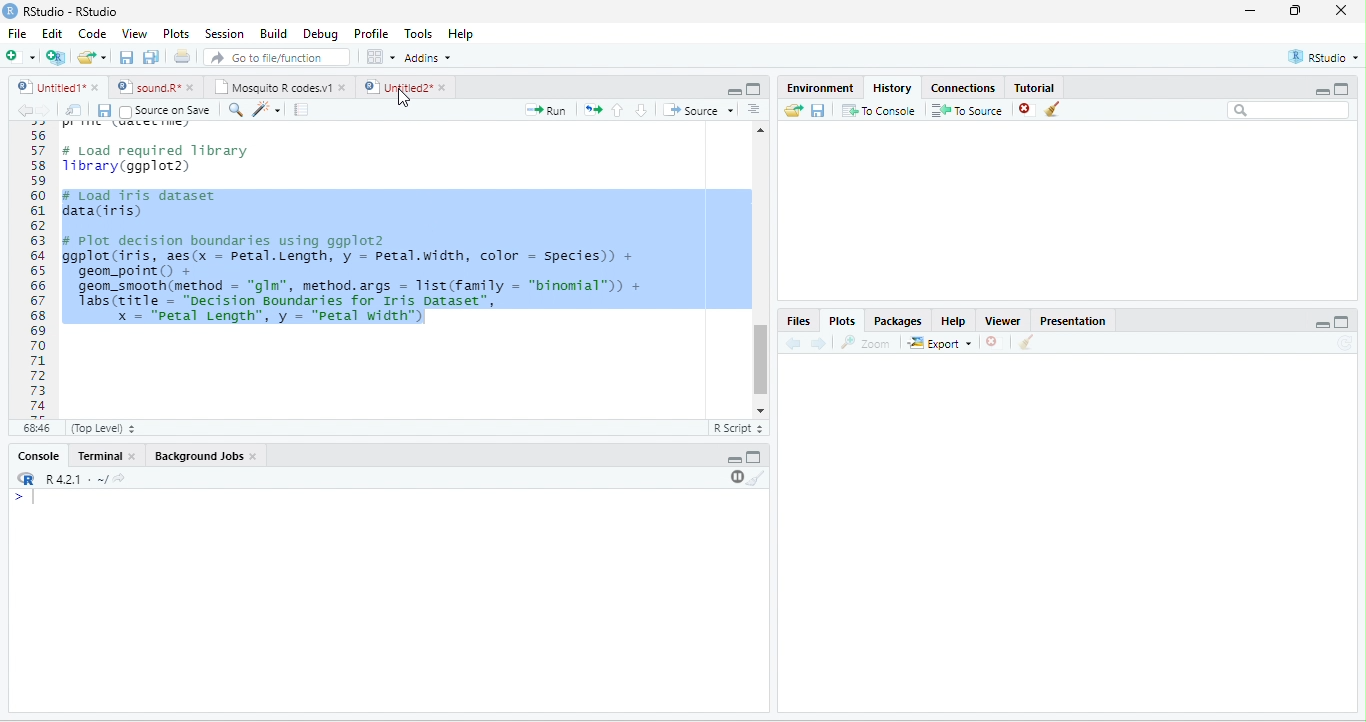  I want to click on # Load iris dataset data(iris), so click(138, 202).